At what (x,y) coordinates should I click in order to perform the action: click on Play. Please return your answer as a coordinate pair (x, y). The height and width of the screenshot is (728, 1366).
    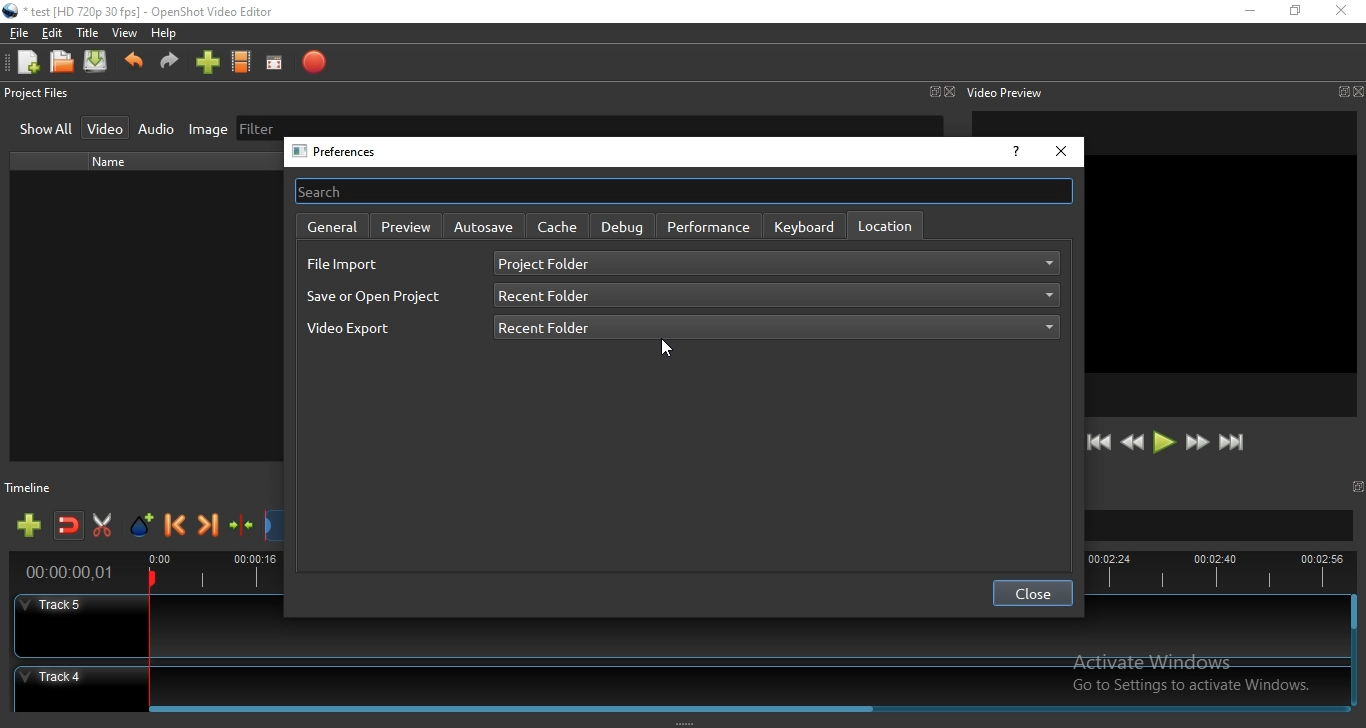
    Looking at the image, I should click on (1164, 443).